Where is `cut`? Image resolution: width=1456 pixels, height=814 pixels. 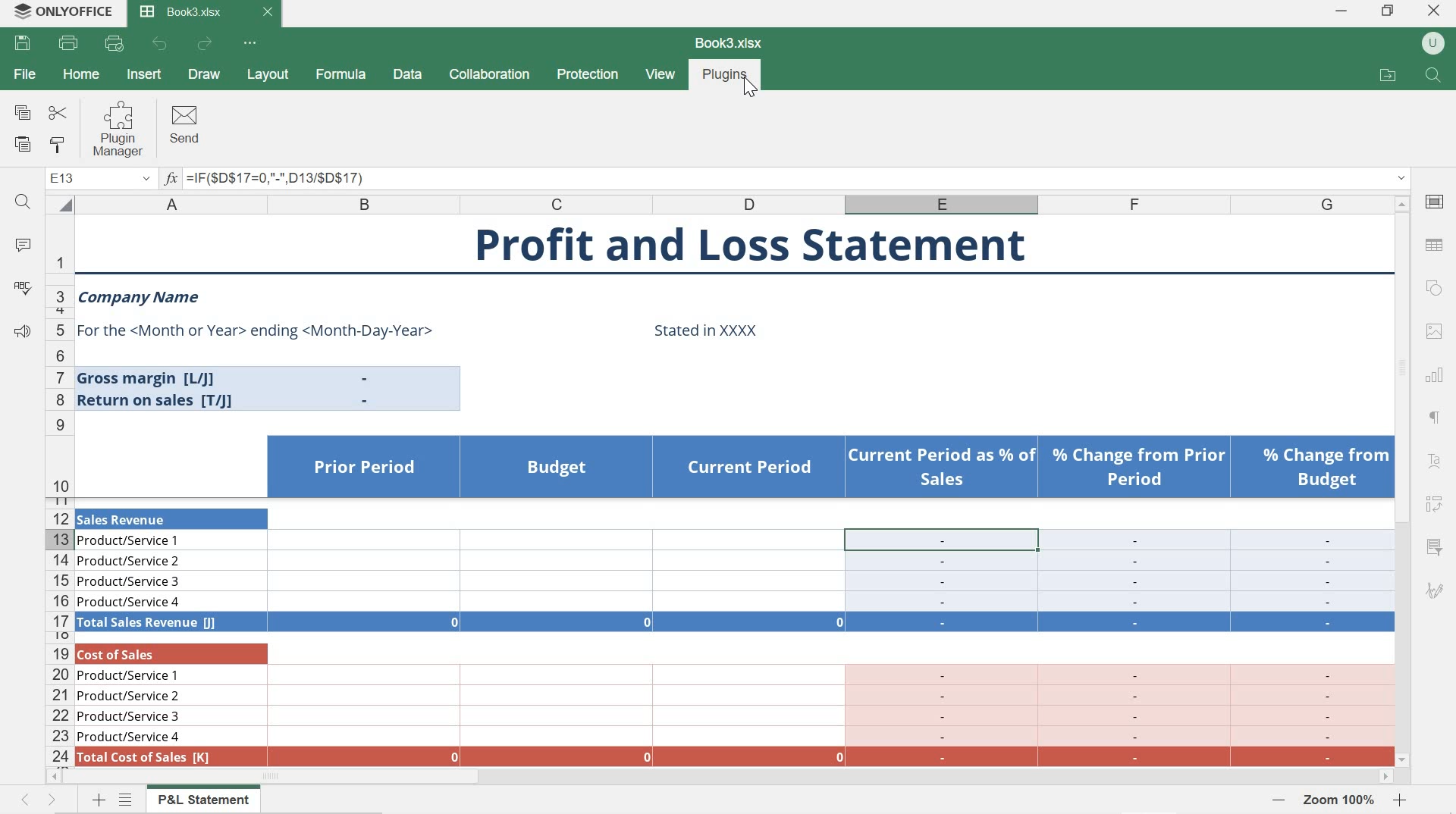 cut is located at coordinates (58, 114).